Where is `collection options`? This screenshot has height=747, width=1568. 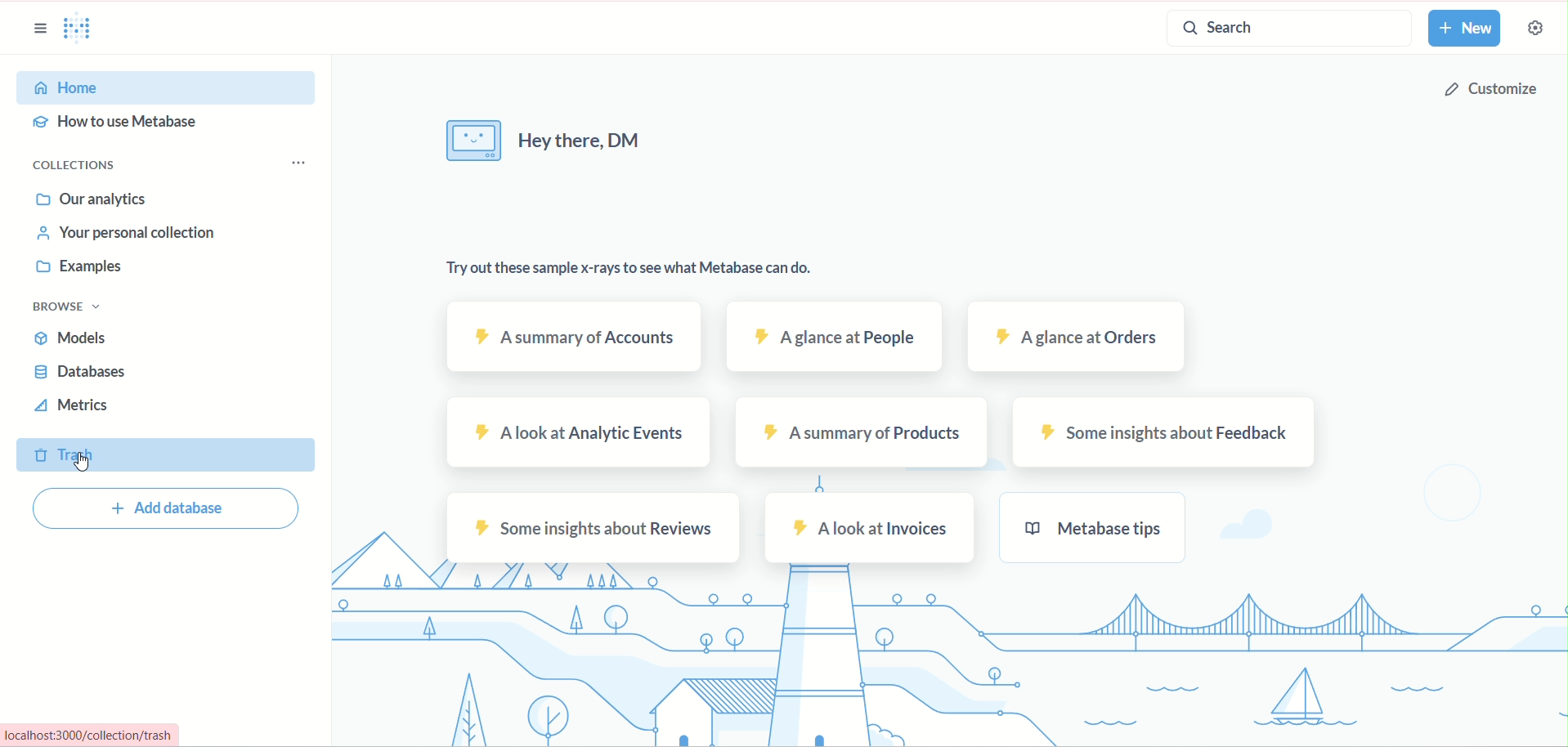 collection options is located at coordinates (305, 158).